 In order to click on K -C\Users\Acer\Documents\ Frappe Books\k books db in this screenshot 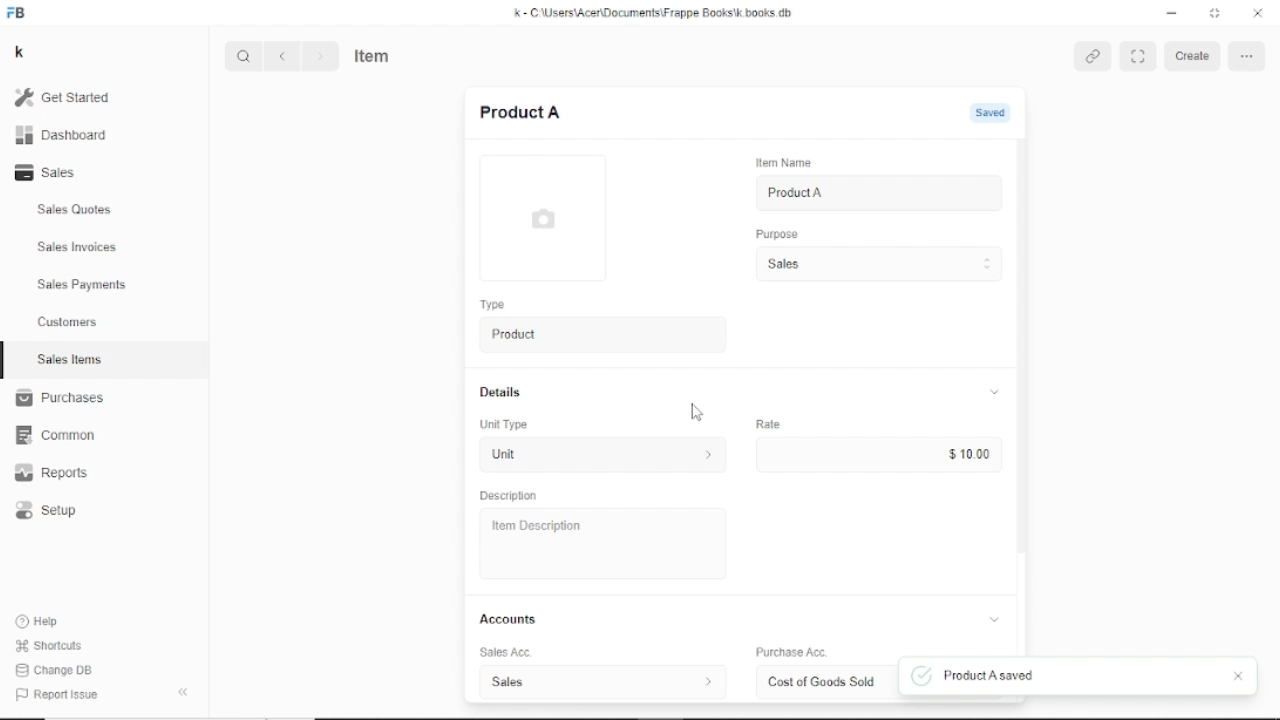, I will do `click(657, 13)`.